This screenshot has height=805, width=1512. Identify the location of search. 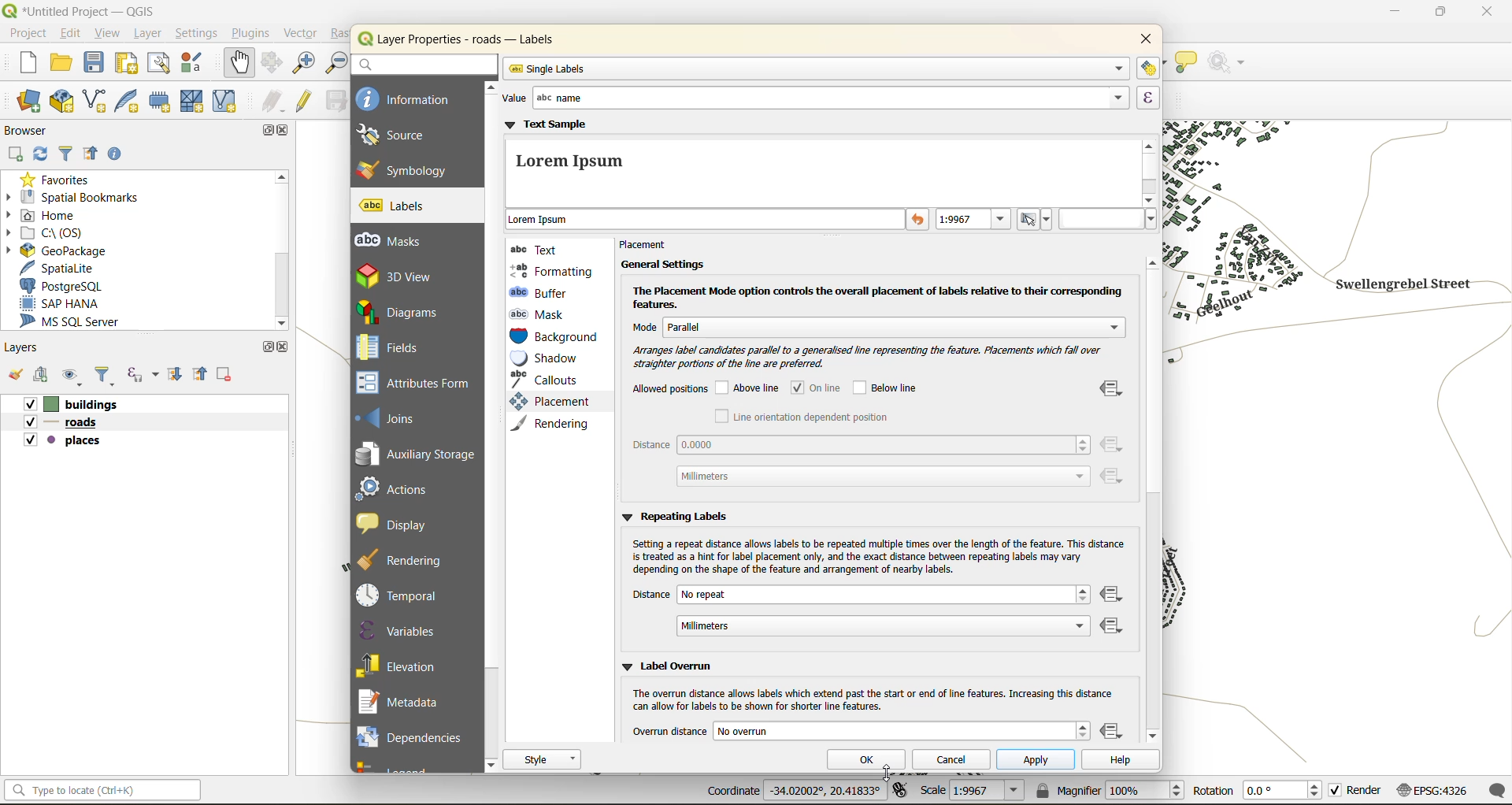
(423, 64).